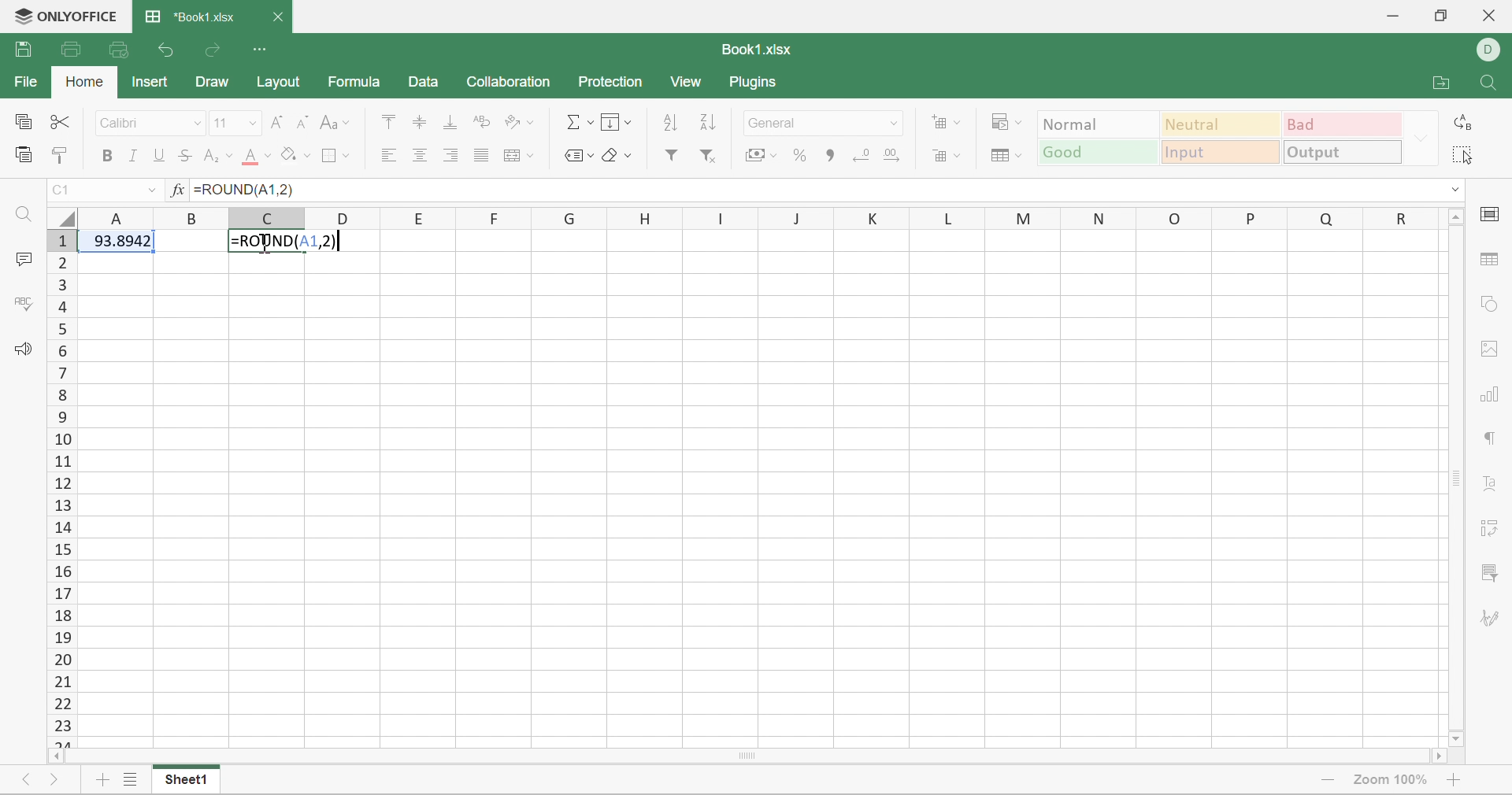  I want to click on Select all, so click(1462, 154).